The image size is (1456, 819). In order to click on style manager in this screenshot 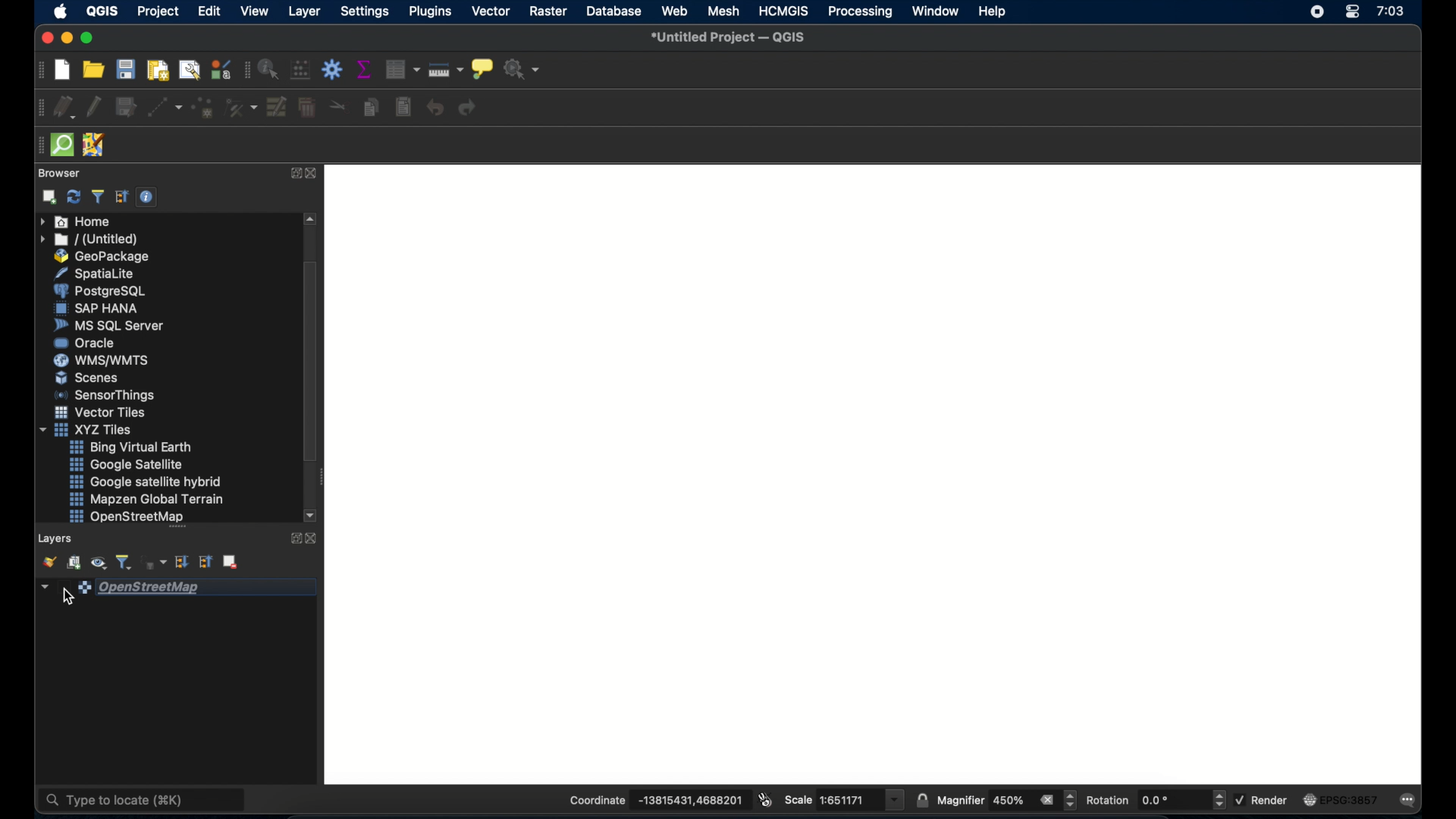, I will do `click(222, 69)`.